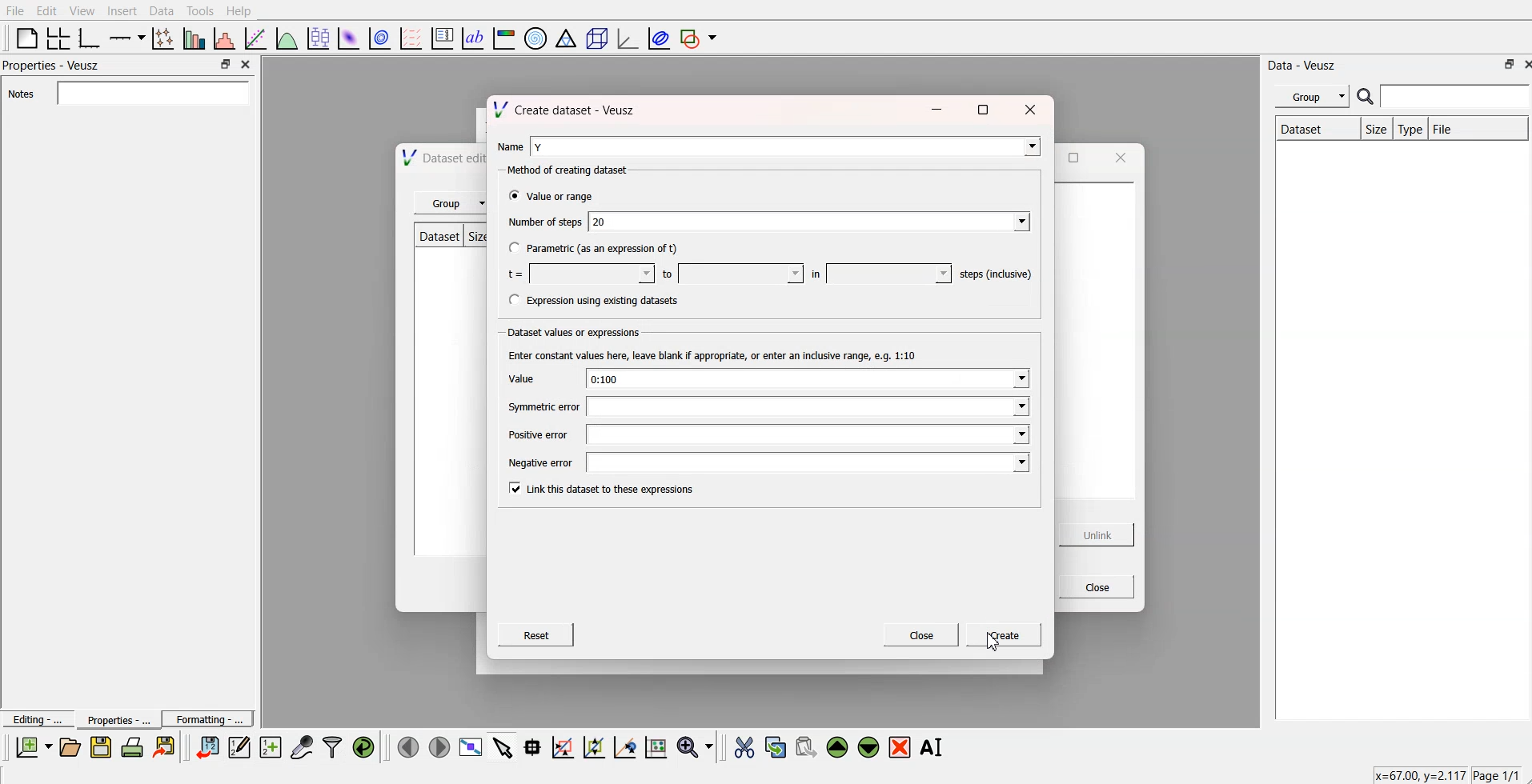 The image size is (1532, 784). Describe the element at coordinates (129, 93) in the screenshot. I see `Notes` at that location.